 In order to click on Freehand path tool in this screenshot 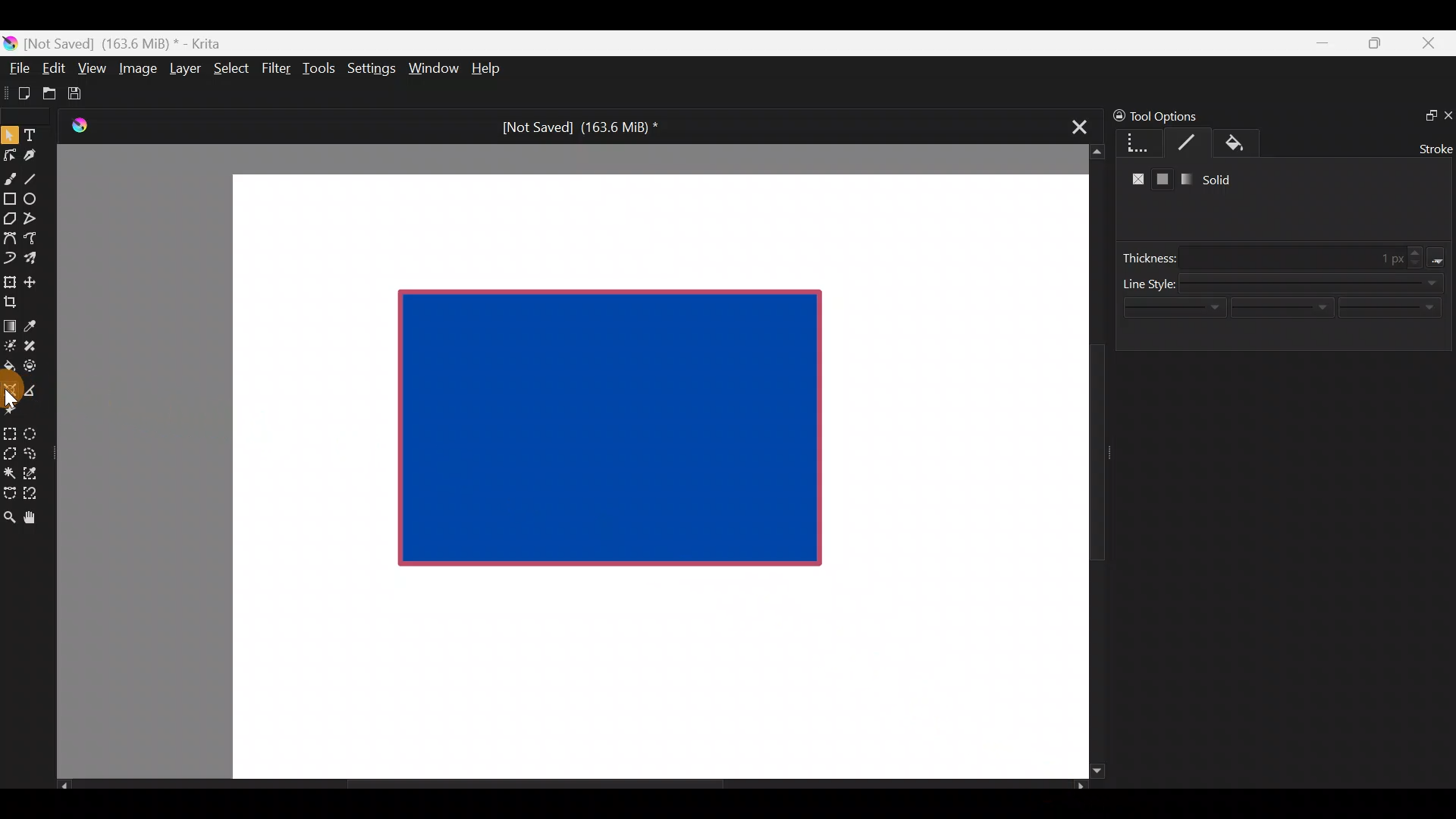, I will do `click(38, 240)`.